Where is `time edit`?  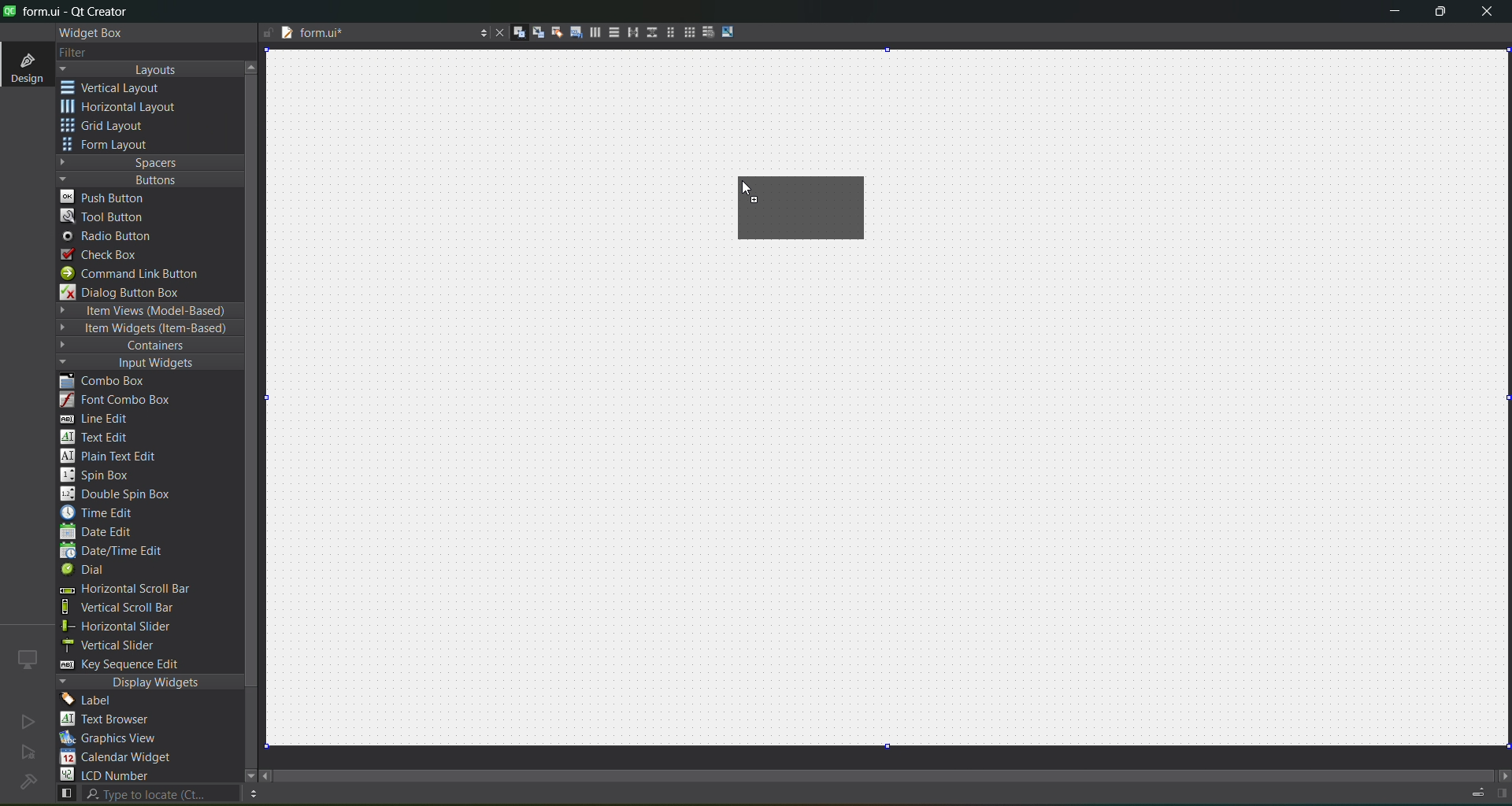
time edit is located at coordinates (102, 512).